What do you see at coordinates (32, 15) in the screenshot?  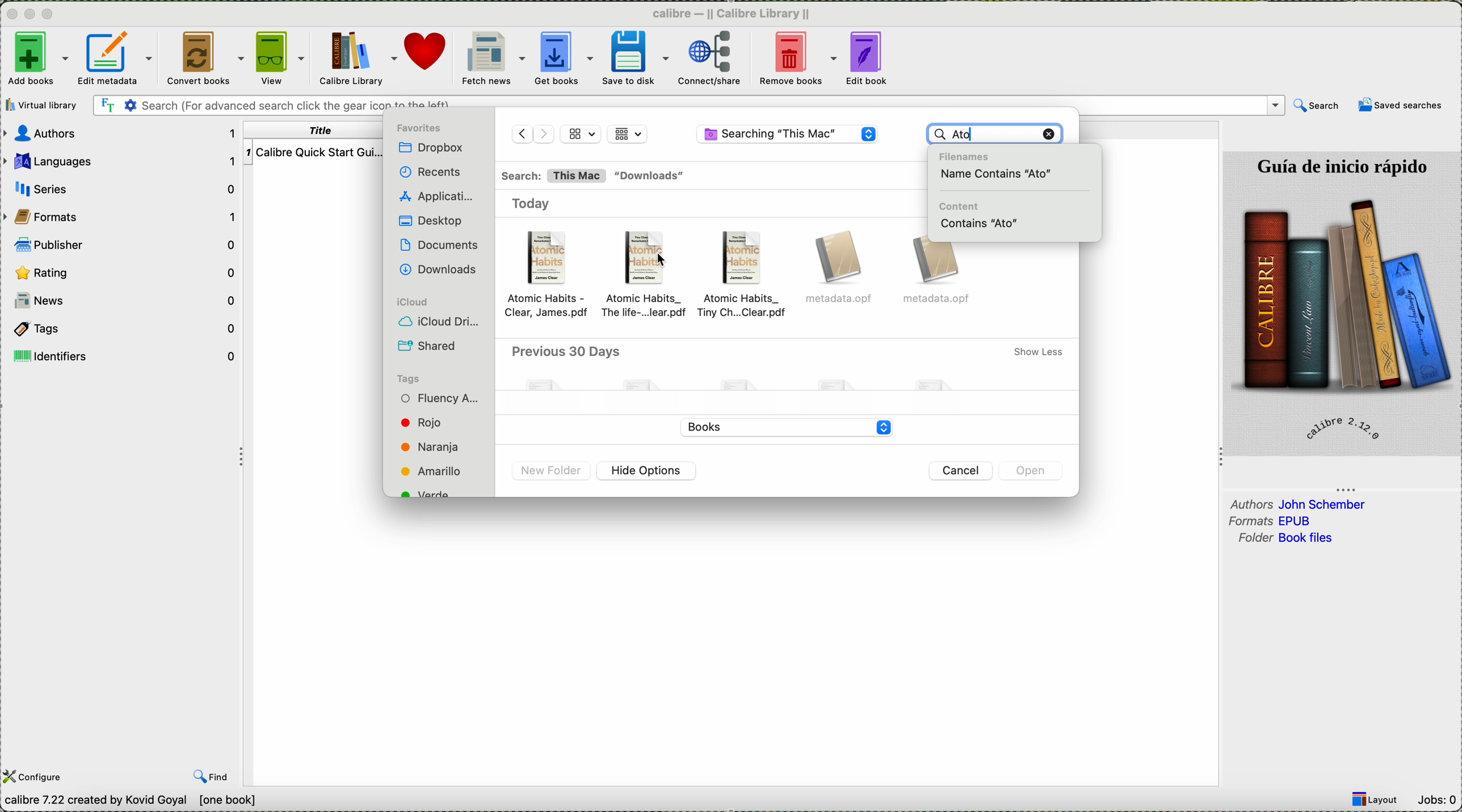 I see `minimize program` at bounding box center [32, 15].